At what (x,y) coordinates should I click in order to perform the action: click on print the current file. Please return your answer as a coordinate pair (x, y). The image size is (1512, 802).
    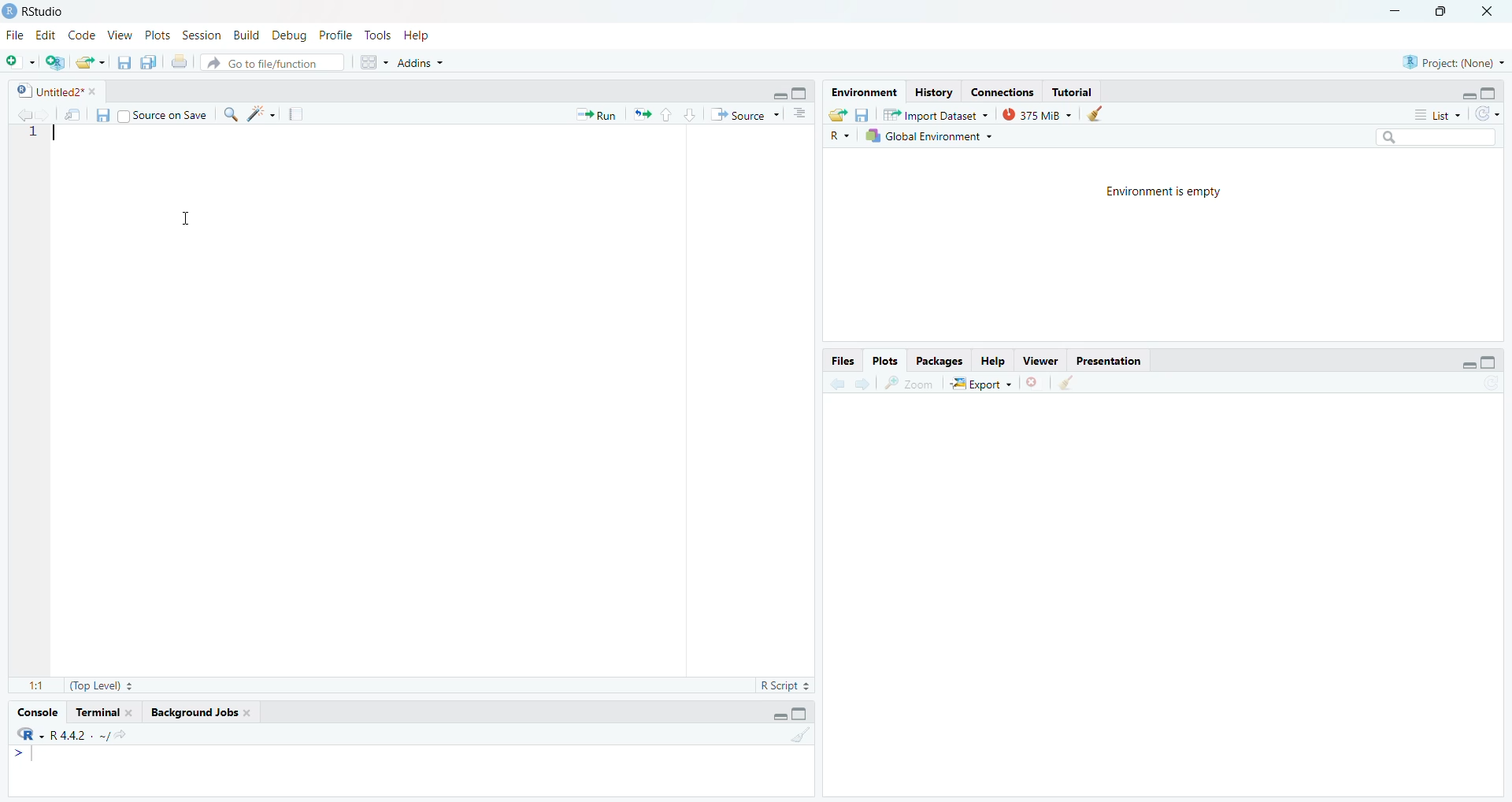
    Looking at the image, I should click on (183, 61).